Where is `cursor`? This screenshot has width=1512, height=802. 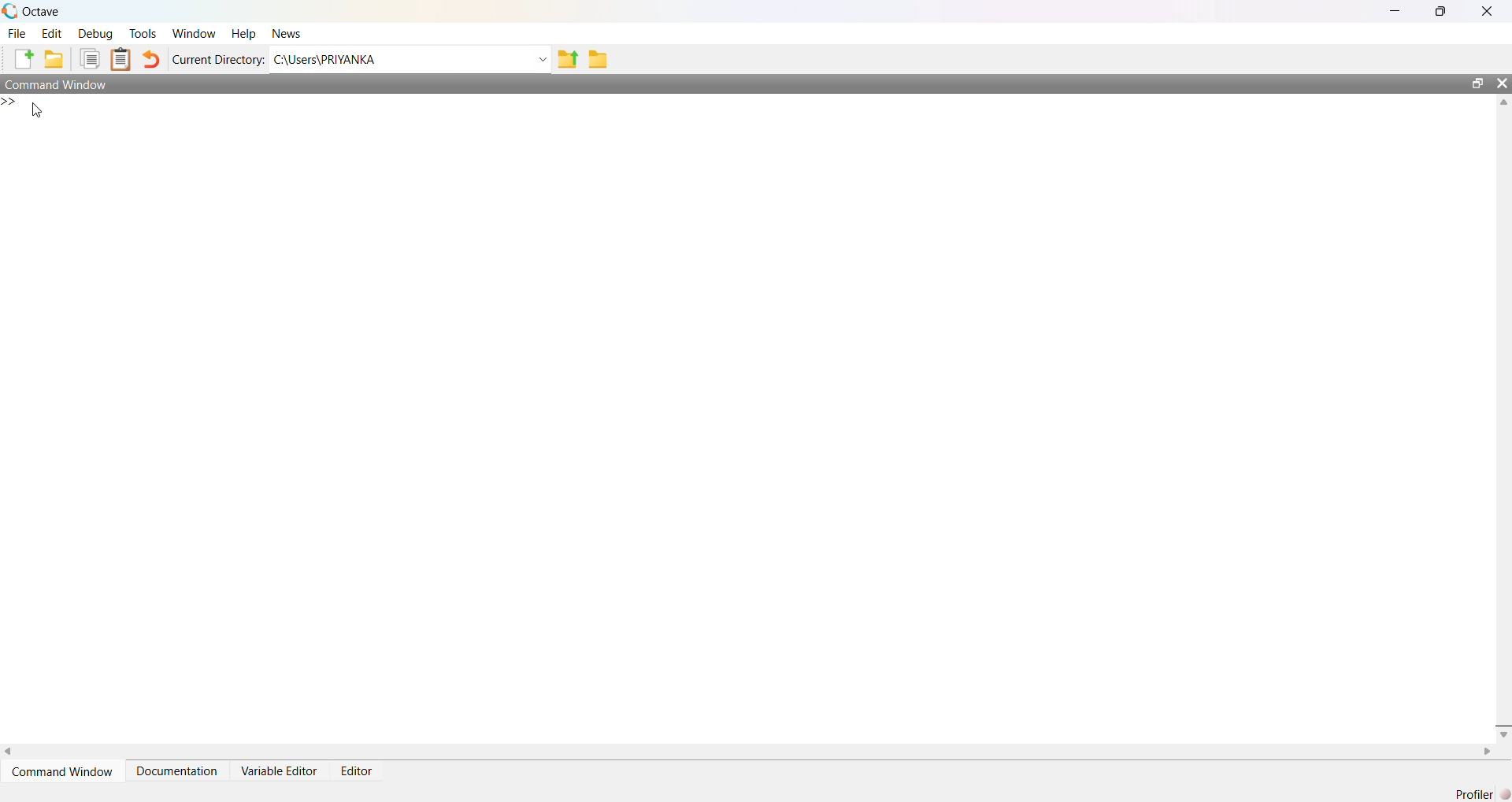 cursor is located at coordinates (36, 113).